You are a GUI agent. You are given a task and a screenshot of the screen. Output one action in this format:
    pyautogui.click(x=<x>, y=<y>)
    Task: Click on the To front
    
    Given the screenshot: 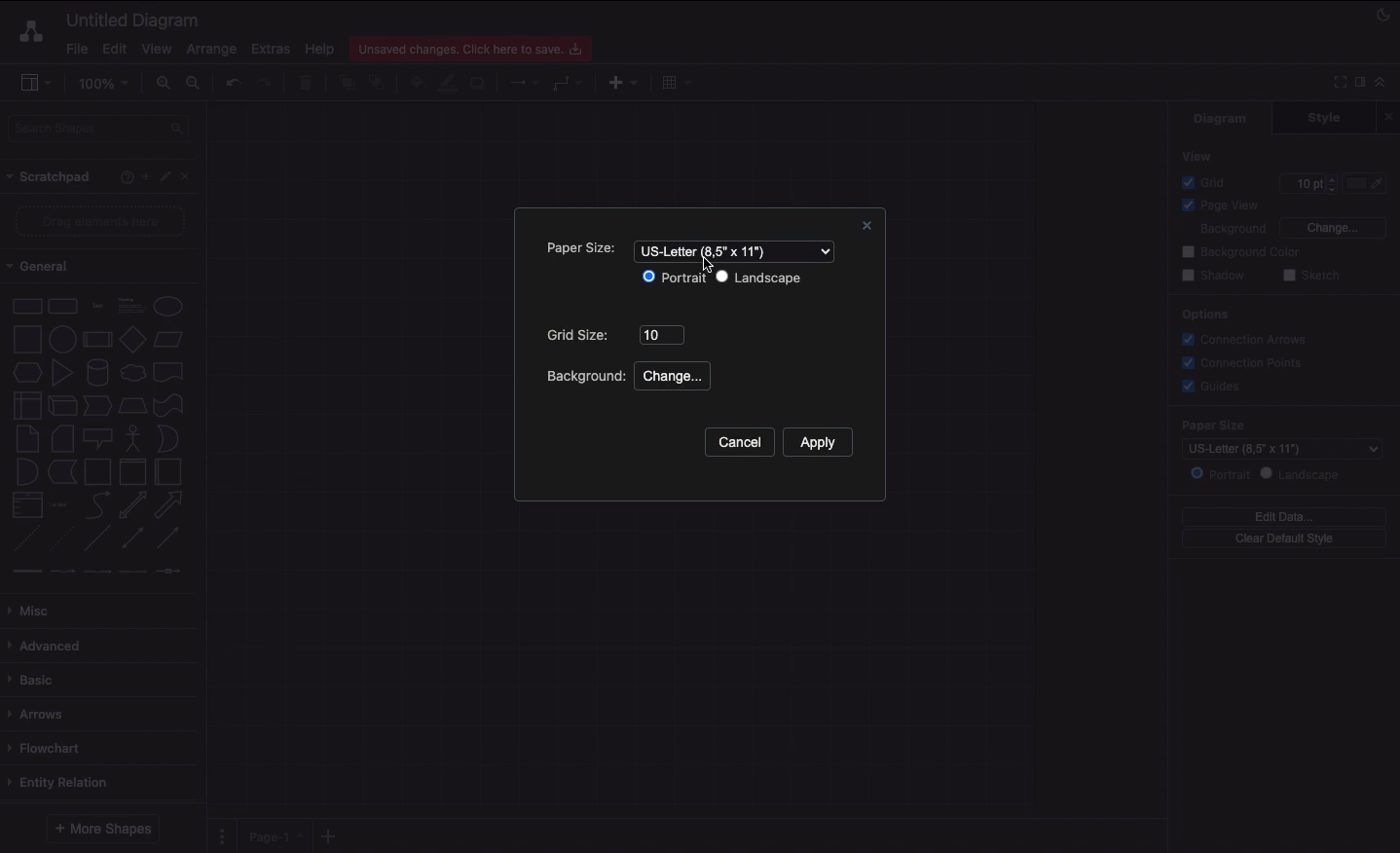 What is the action you would take?
    pyautogui.click(x=346, y=83)
    